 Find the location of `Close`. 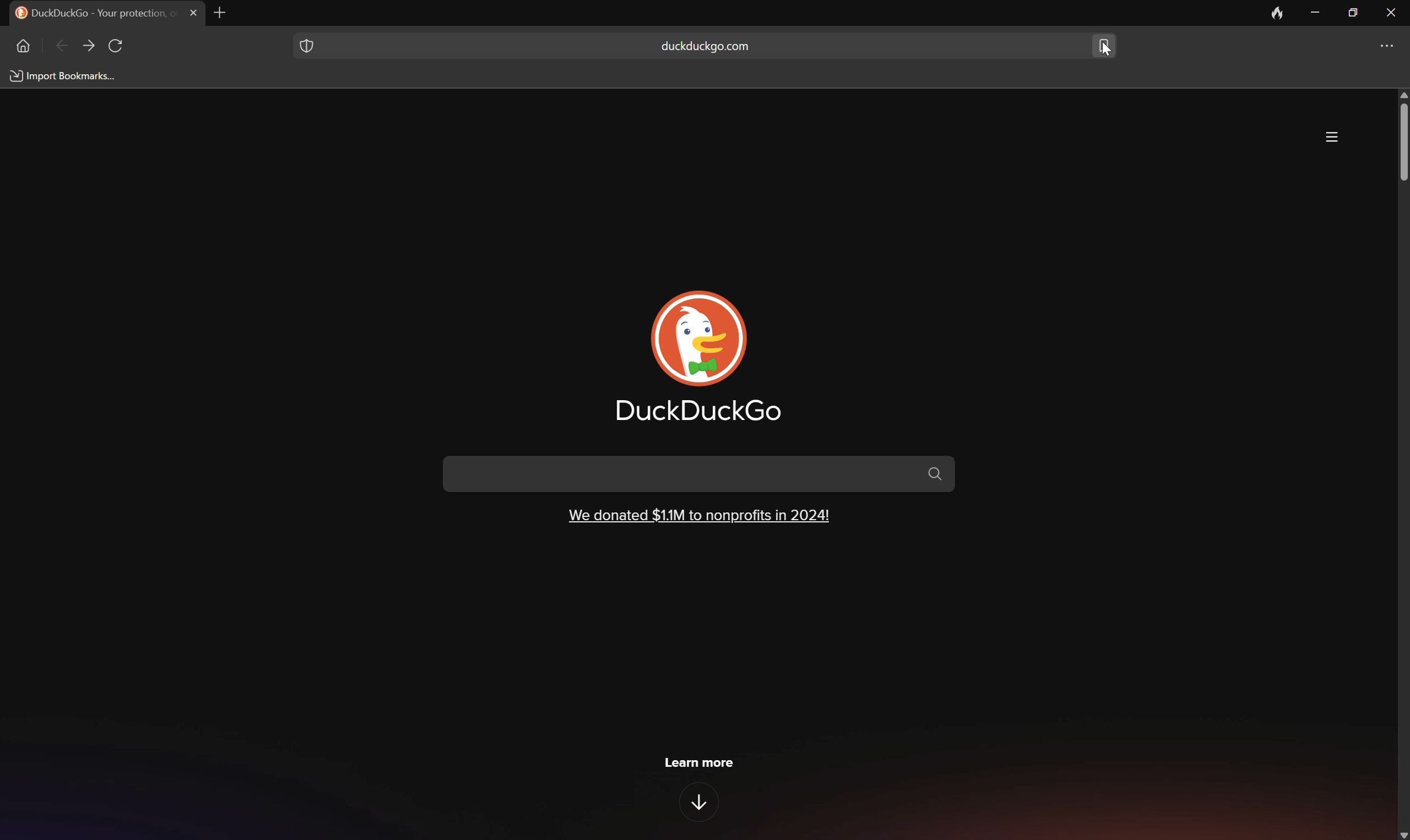

Close is located at coordinates (1392, 11).